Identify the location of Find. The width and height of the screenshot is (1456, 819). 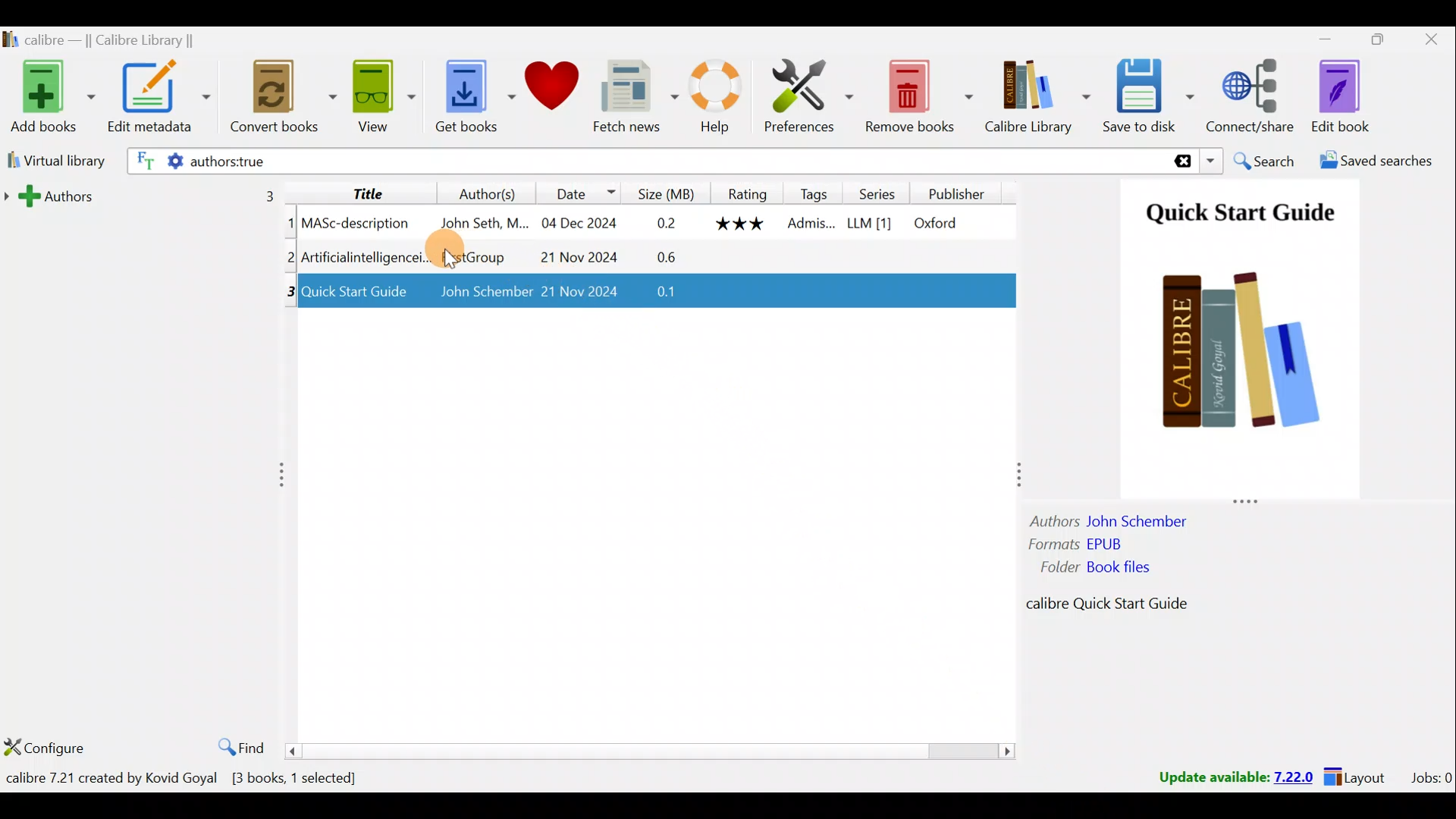
(240, 747).